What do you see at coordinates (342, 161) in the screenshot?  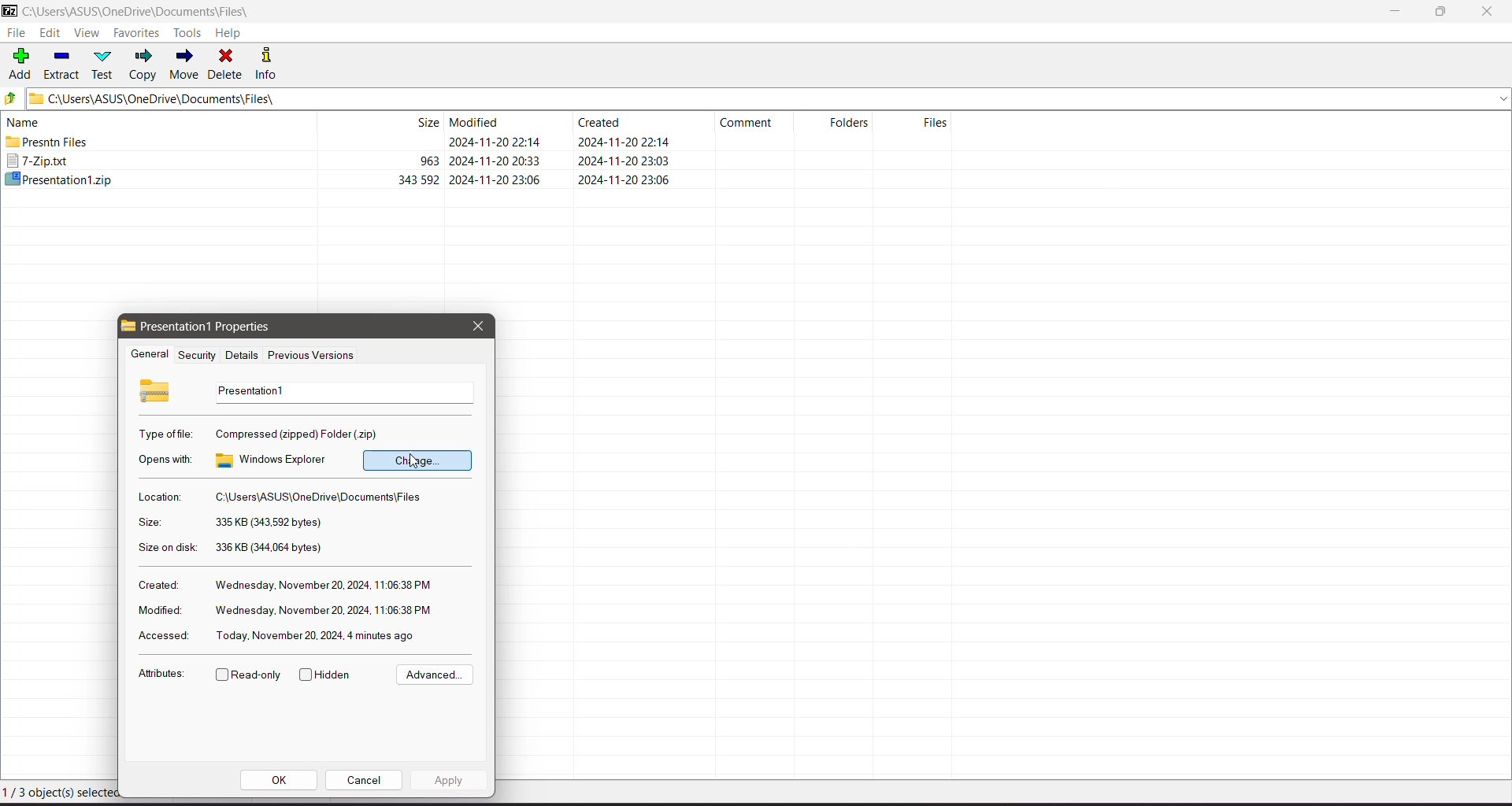 I see `7-Zip` at bounding box center [342, 161].